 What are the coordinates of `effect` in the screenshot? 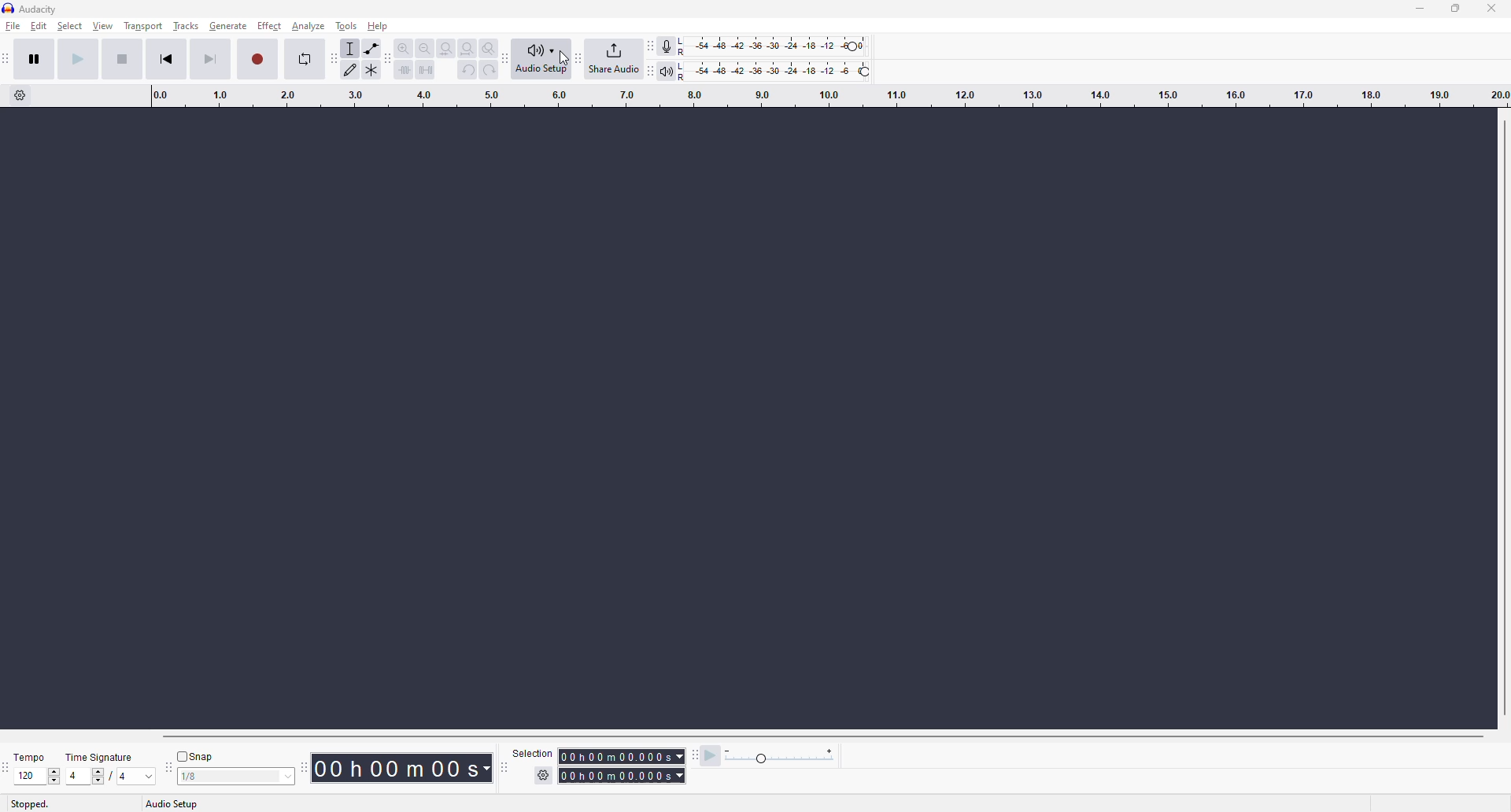 It's located at (266, 27).